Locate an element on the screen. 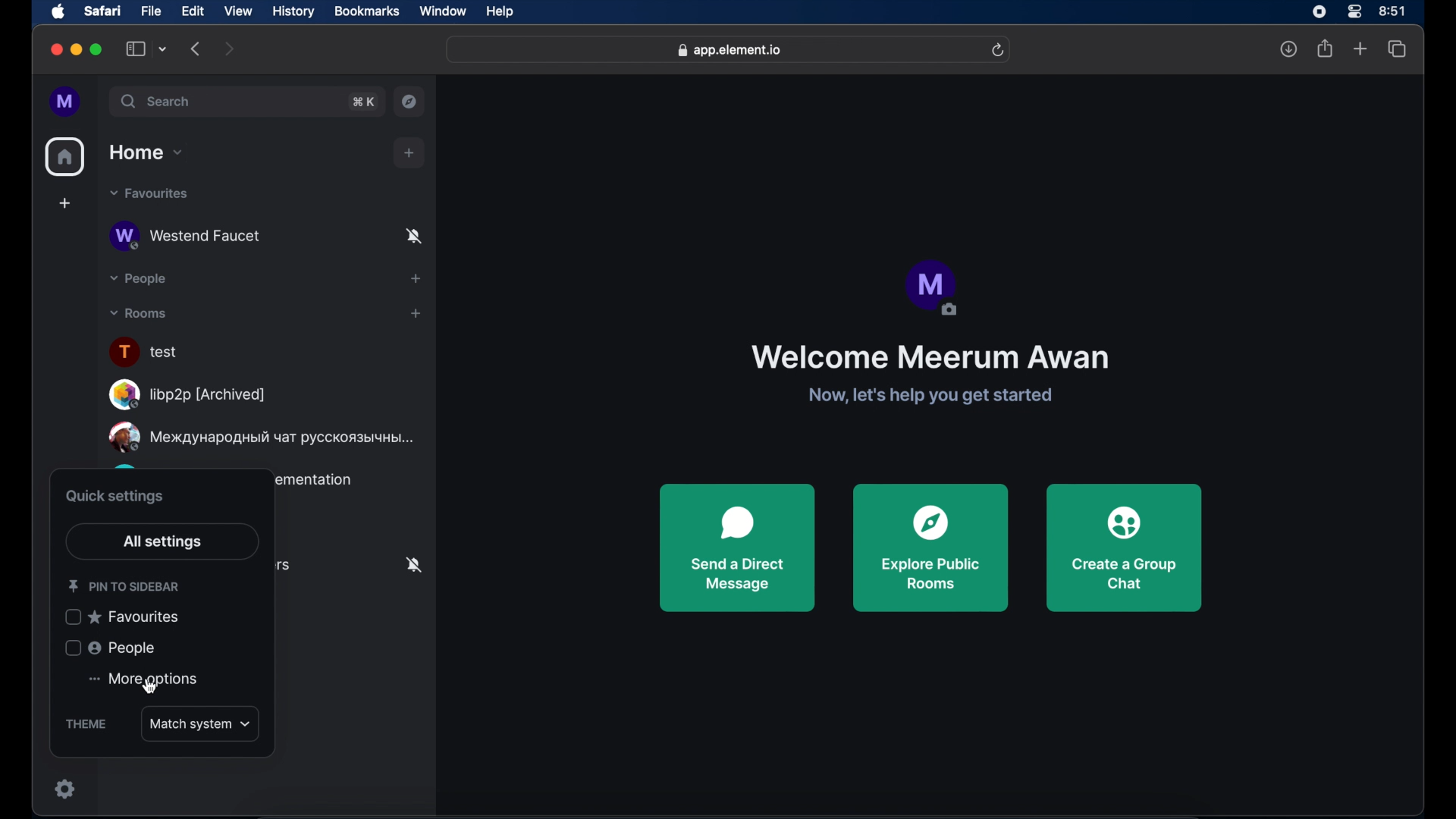 The height and width of the screenshot is (819, 1456). backward is located at coordinates (196, 49).